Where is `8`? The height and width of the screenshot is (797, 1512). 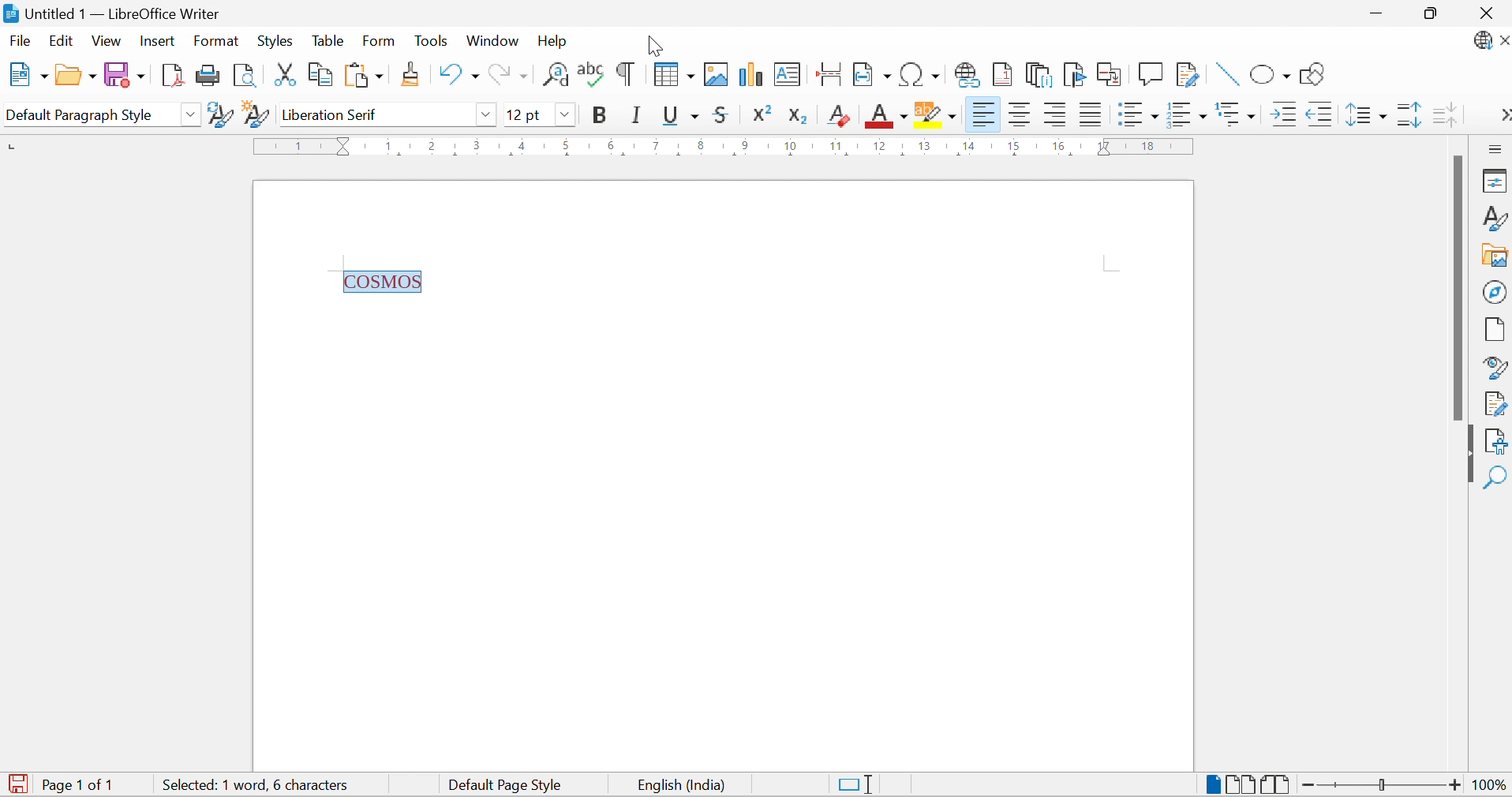
8 is located at coordinates (701, 147).